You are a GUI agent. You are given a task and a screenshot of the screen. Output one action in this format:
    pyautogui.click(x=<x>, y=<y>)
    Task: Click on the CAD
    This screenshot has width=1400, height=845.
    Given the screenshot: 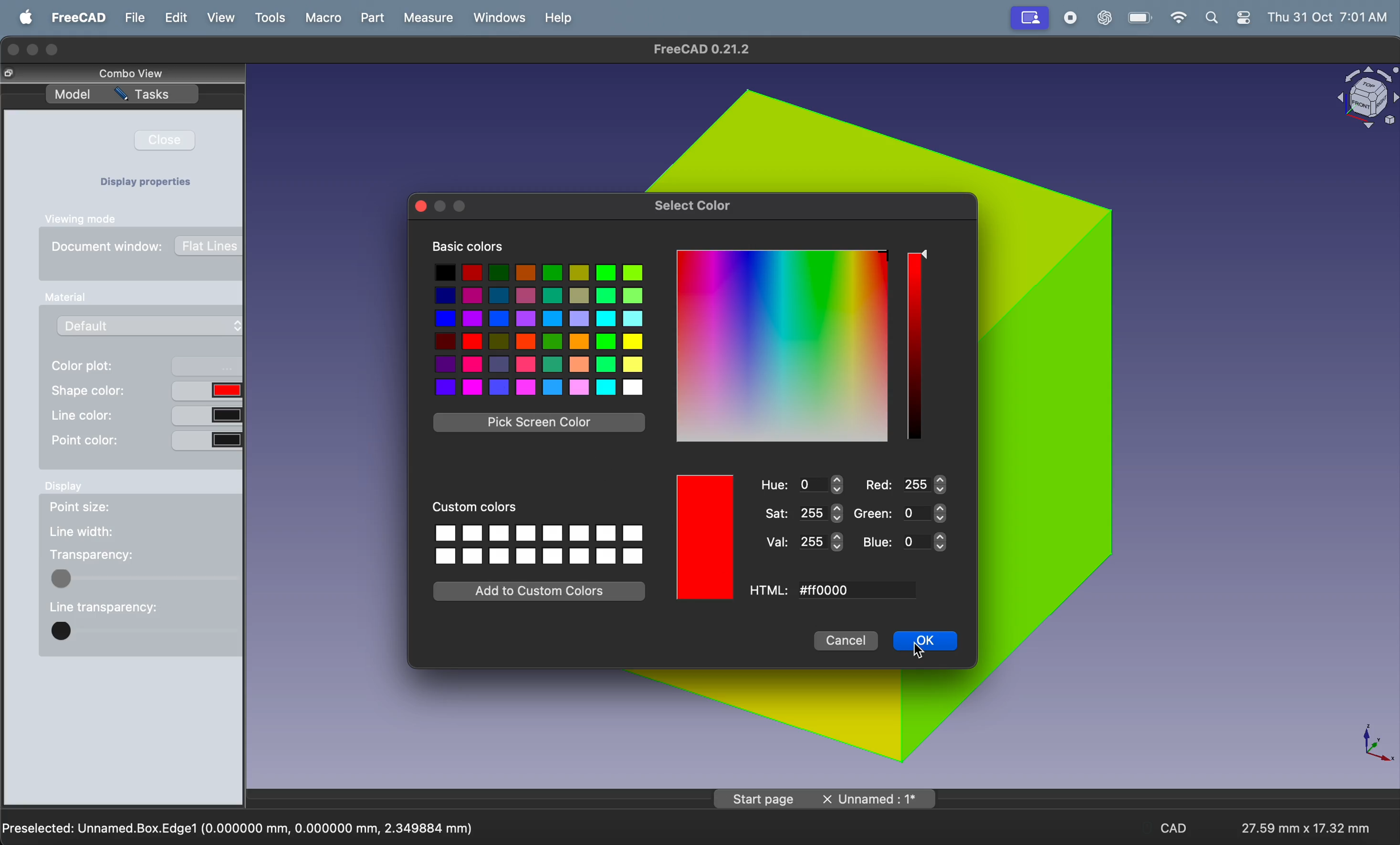 What is the action you would take?
    pyautogui.click(x=1176, y=830)
    